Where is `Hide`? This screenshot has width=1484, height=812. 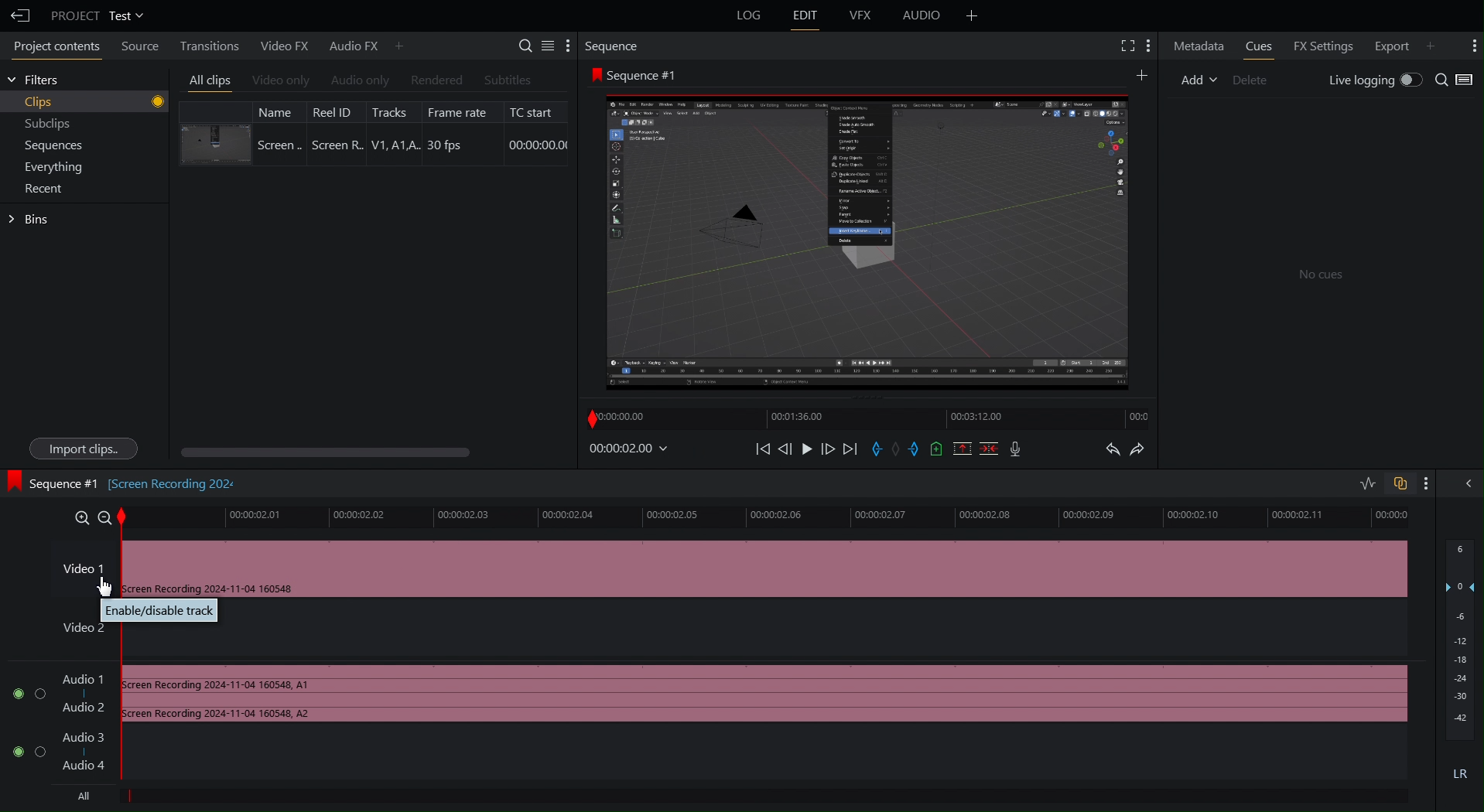 Hide is located at coordinates (1465, 484).